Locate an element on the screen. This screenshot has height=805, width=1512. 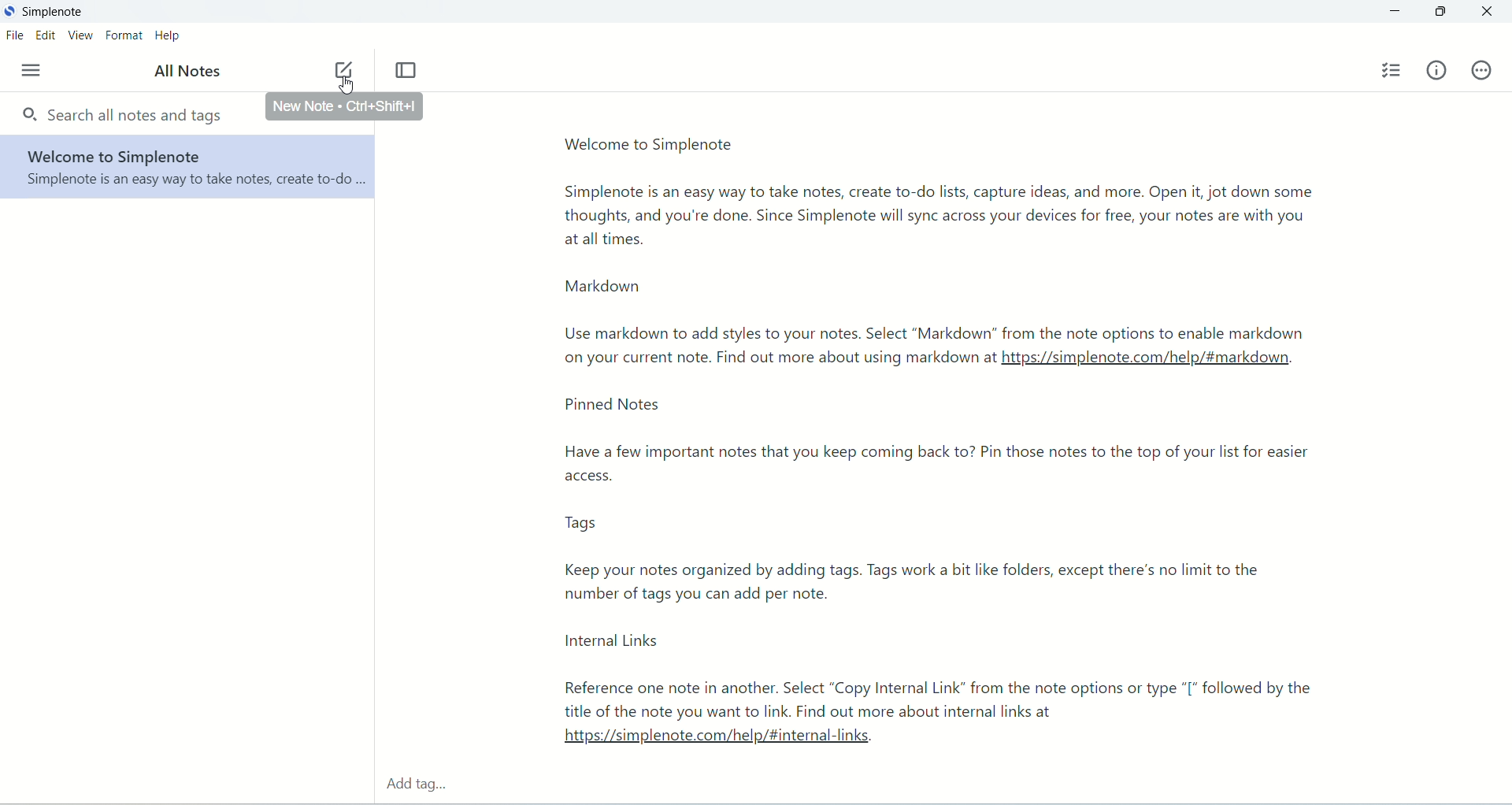
menu is located at coordinates (31, 72).